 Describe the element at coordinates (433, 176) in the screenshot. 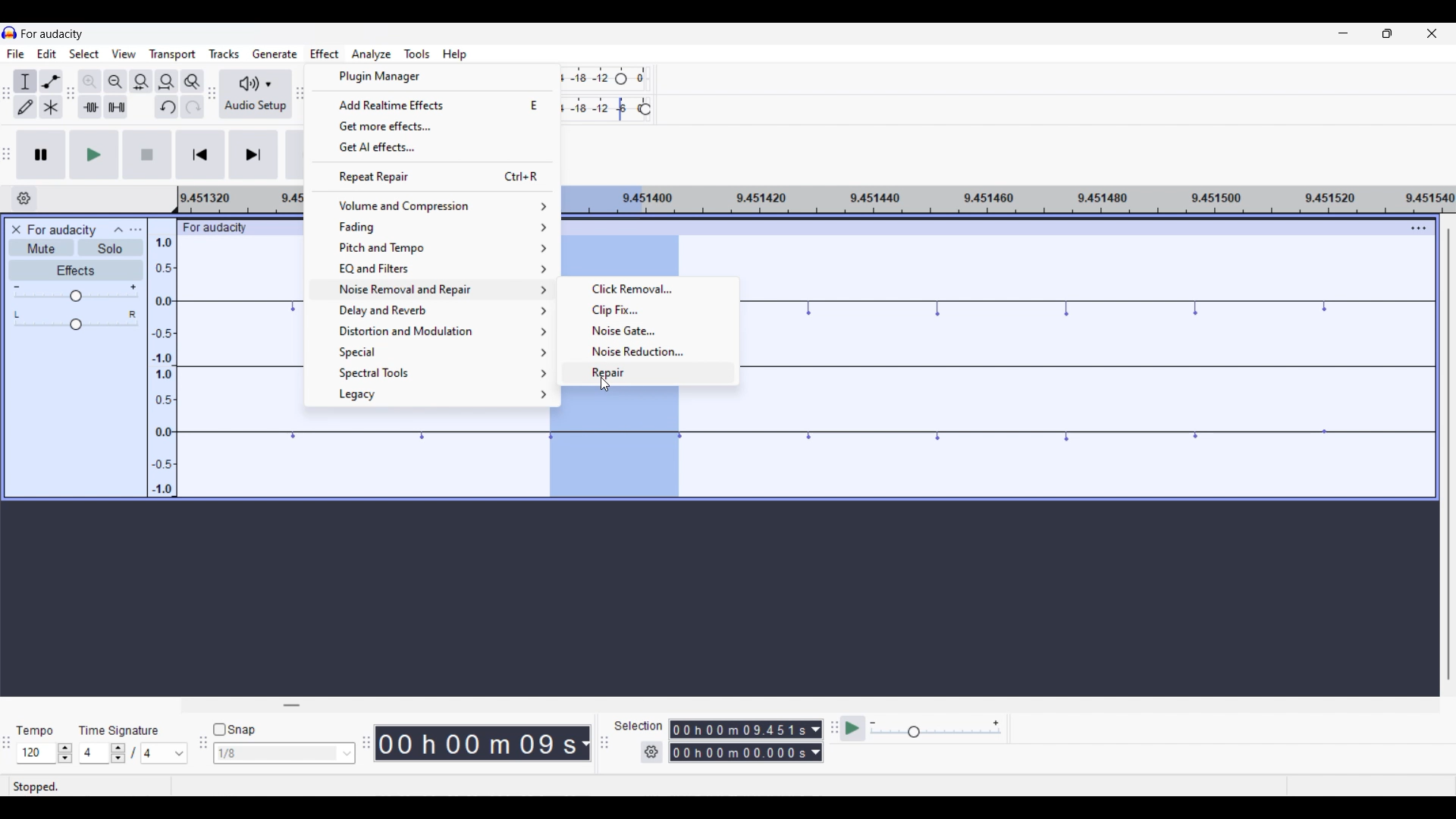

I see `Repeat last repair` at that location.